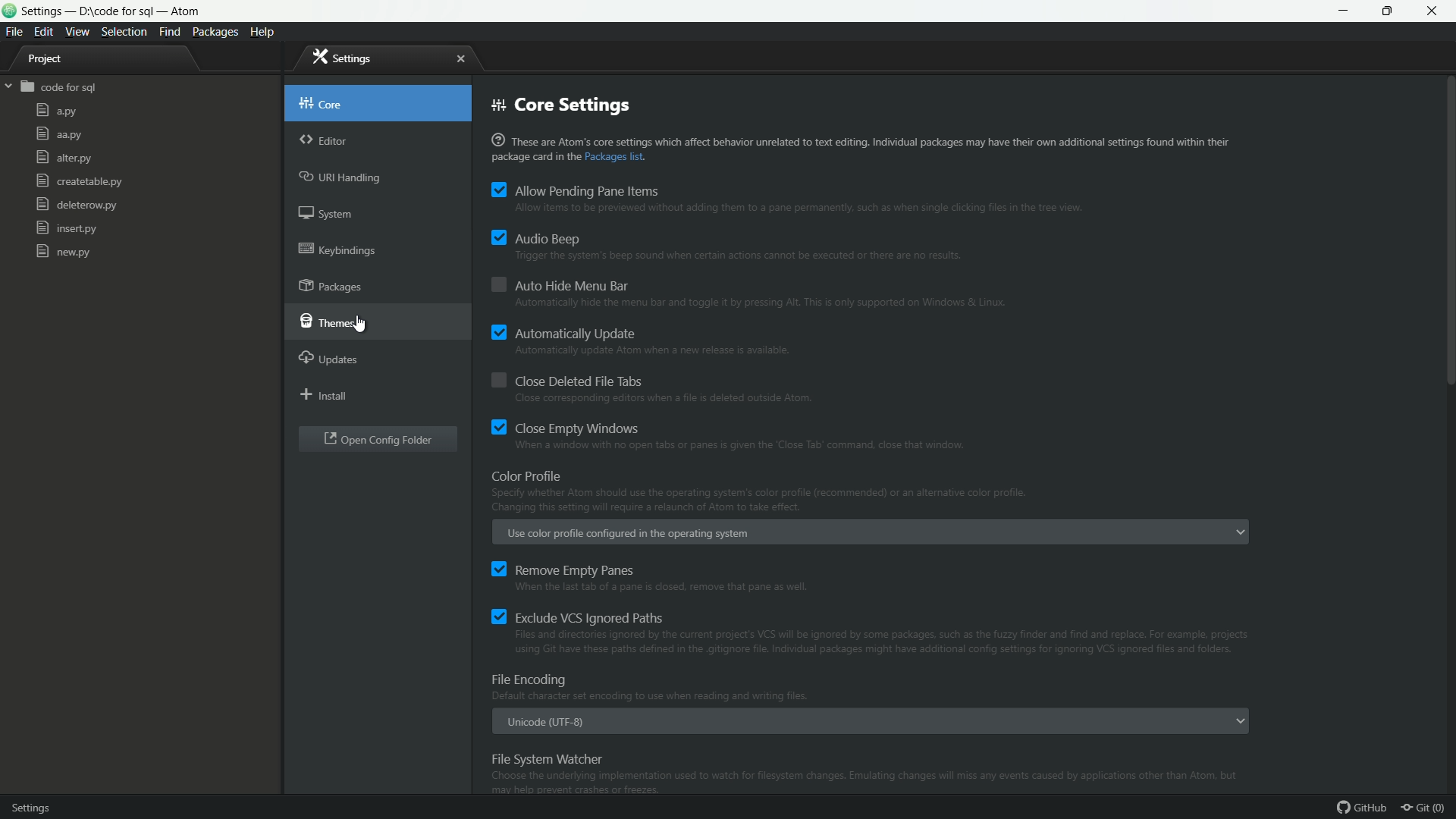 The width and height of the screenshot is (1456, 819). I want to click on project tree, so click(53, 61).